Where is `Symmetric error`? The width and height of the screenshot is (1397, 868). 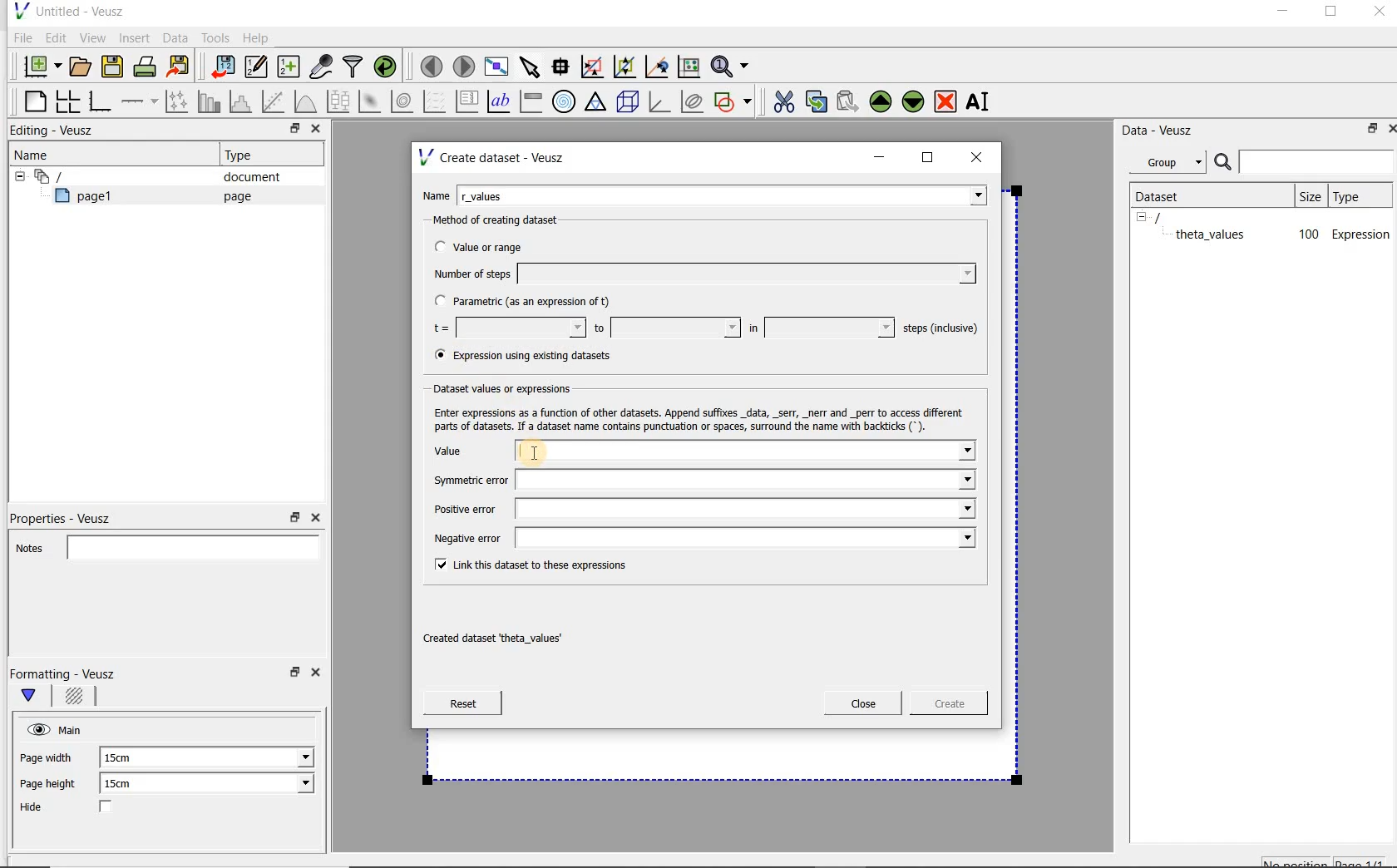 Symmetric error is located at coordinates (700, 481).